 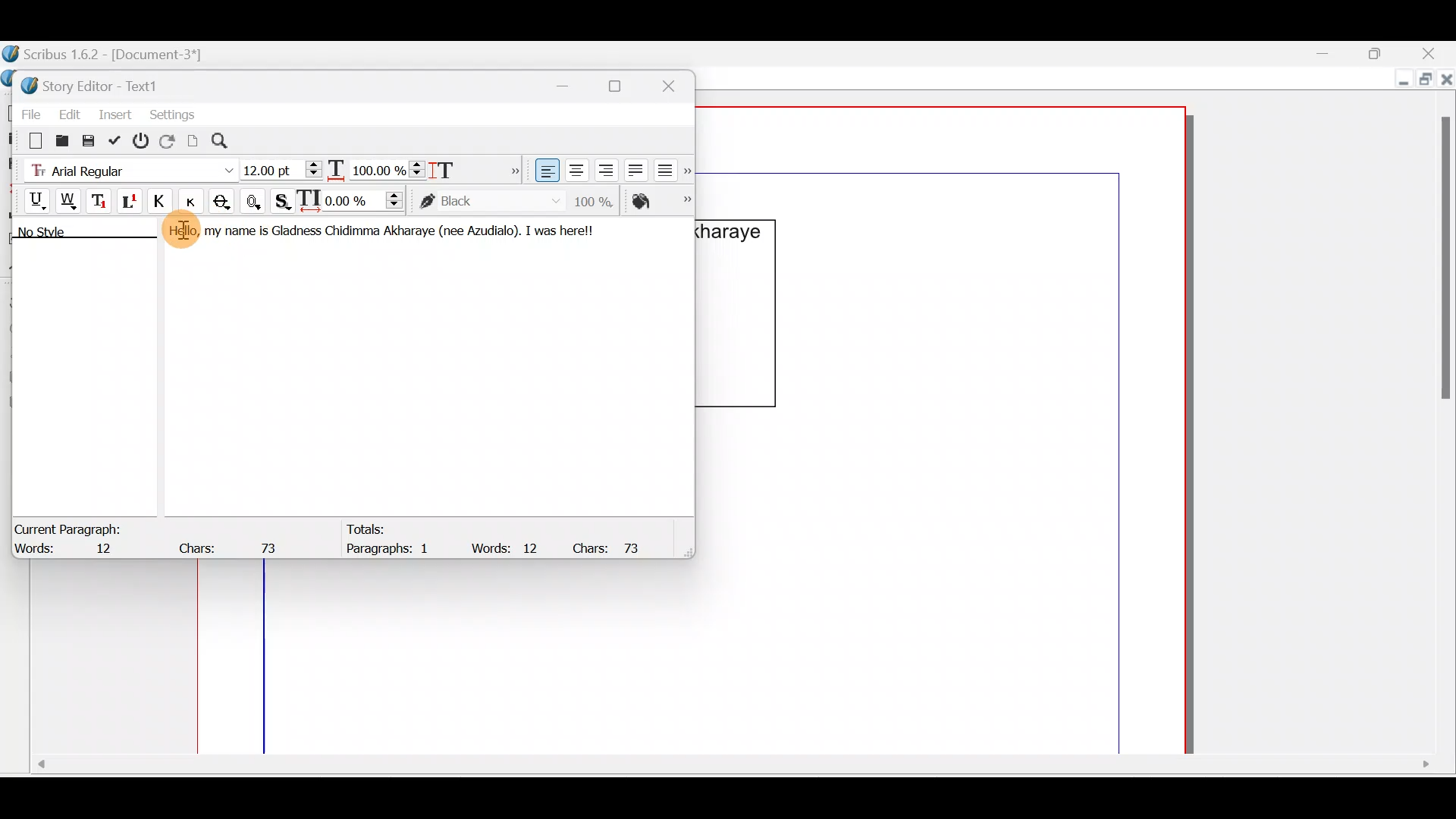 I want to click on Load from file, so click(x=61, y=140).